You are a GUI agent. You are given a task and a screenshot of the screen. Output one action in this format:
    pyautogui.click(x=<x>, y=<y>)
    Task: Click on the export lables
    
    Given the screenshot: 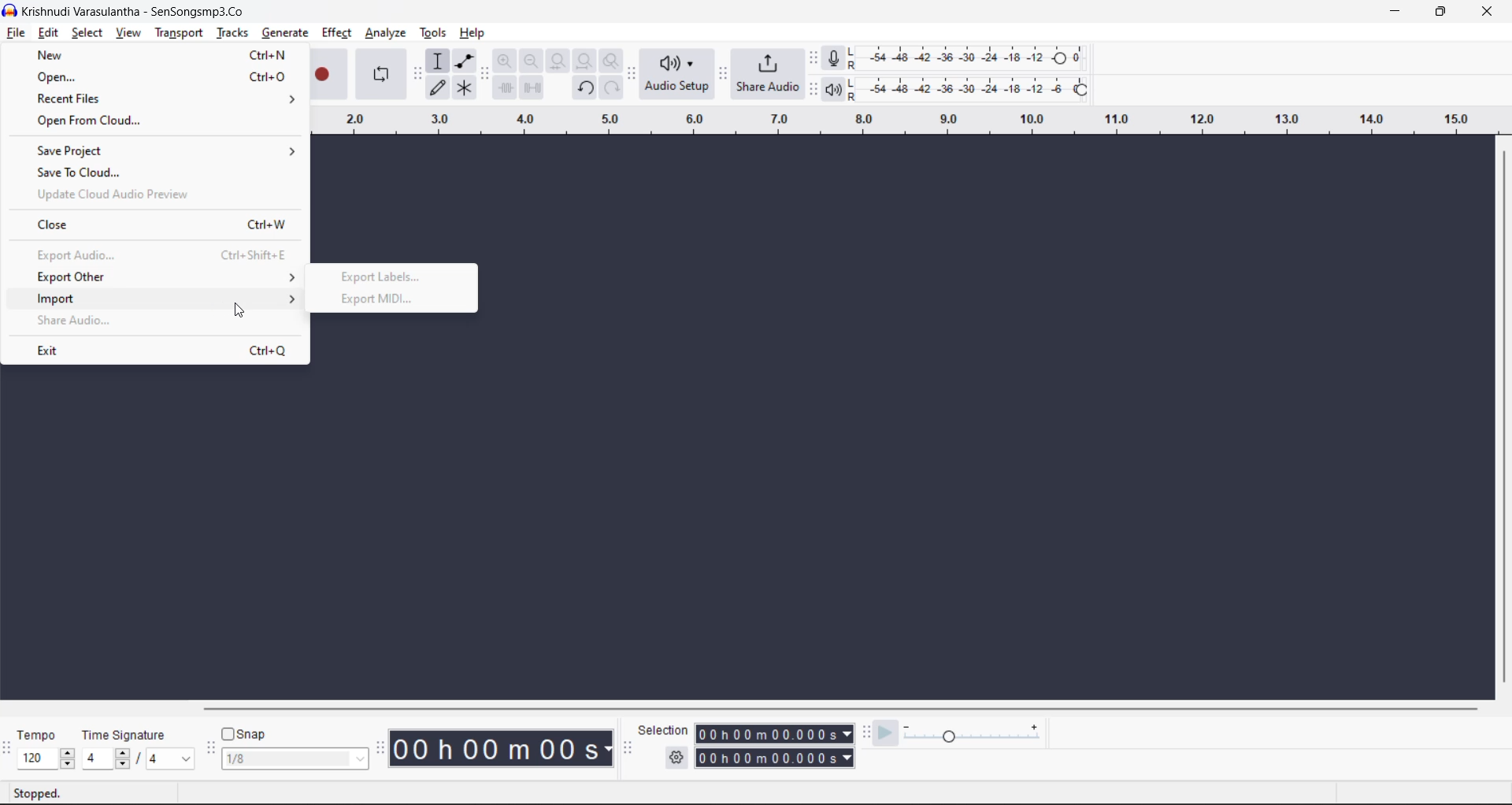 What is the action you would take?
    pyautogui.click(x=382, y=276)
    